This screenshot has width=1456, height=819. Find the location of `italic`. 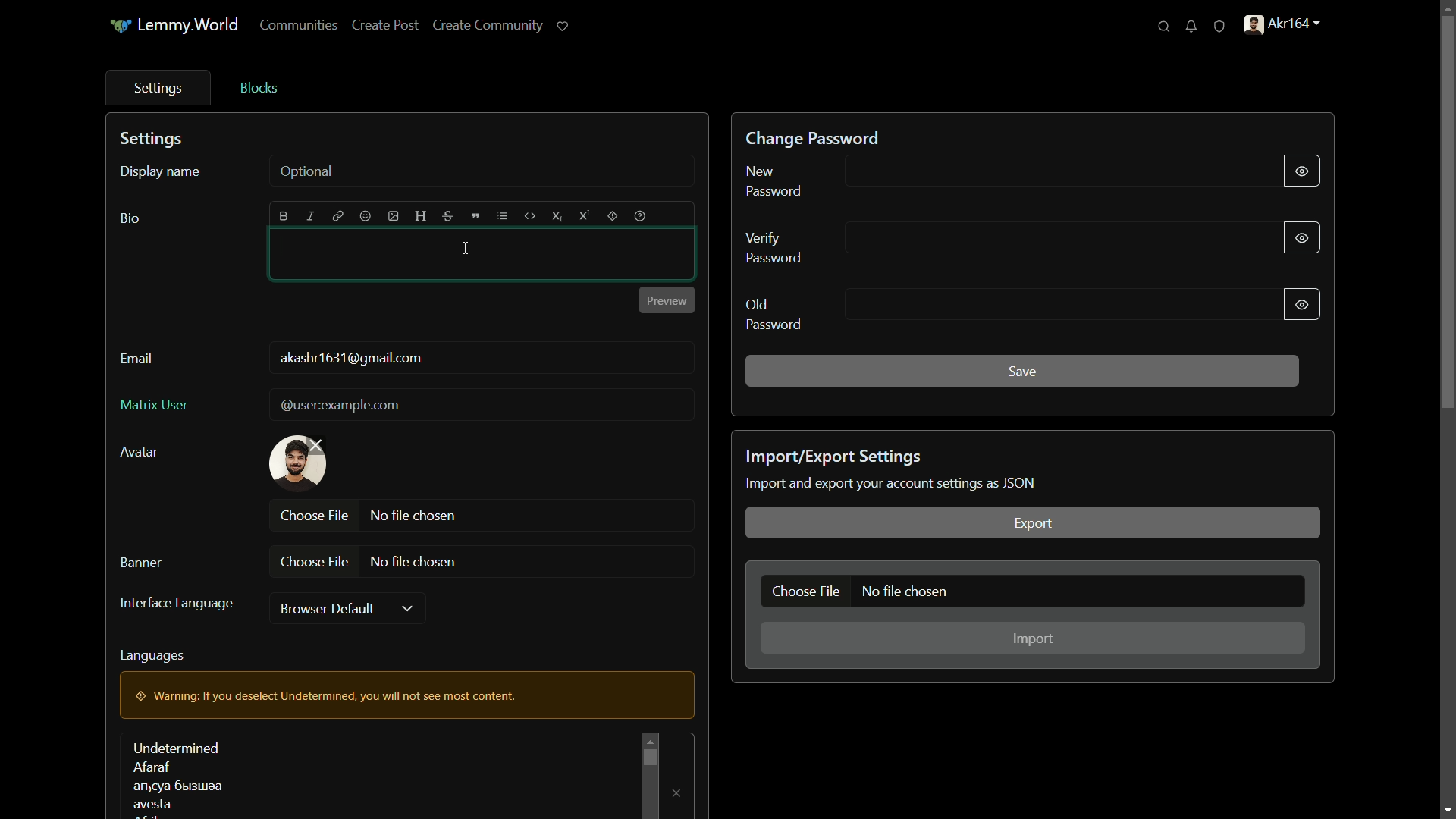

italic is located at coordinates (310, 216).